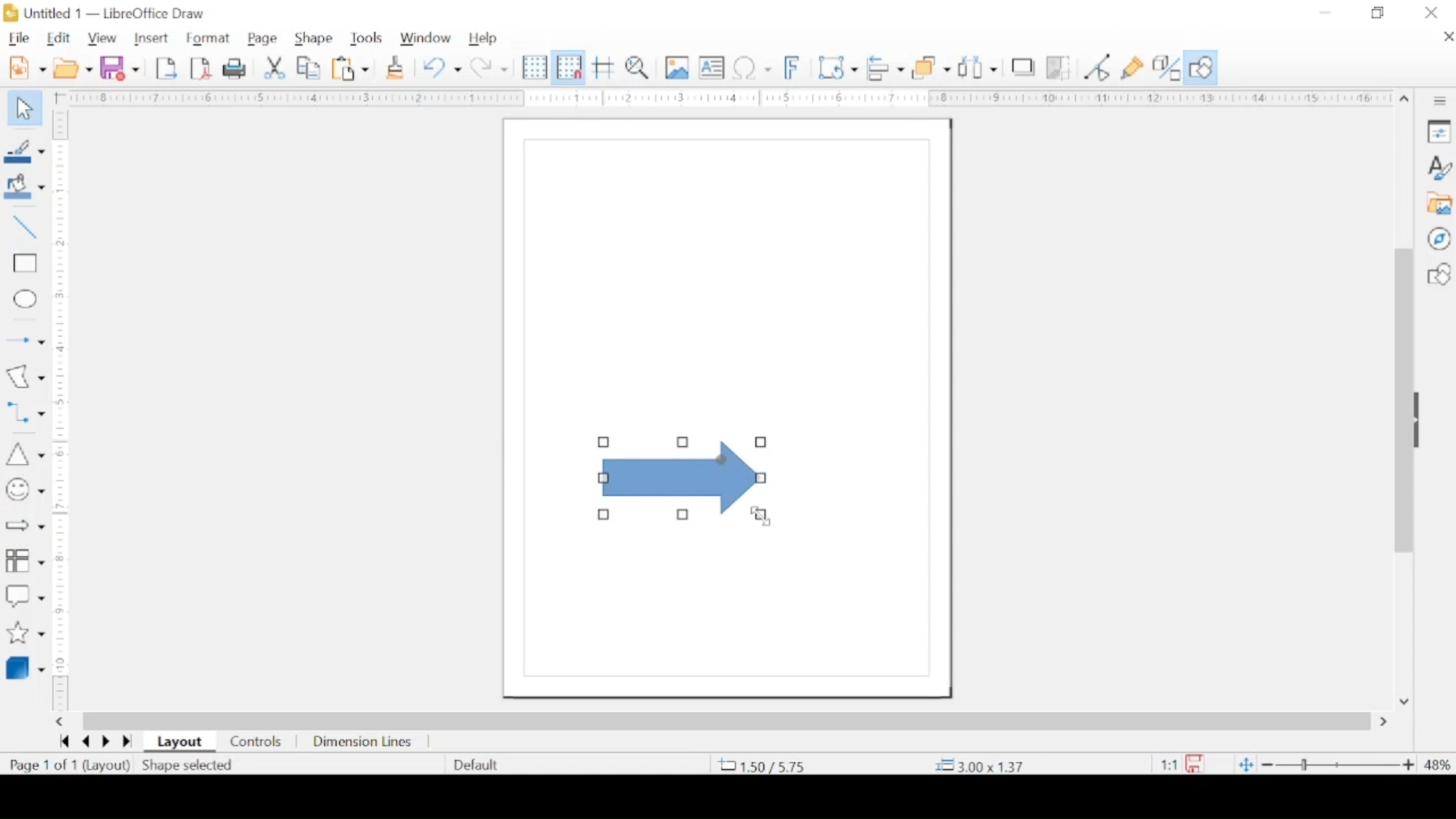 Image resolution: width=1456 pixels, height=819 pixels. I want to click on callout shapes, so click(24, 597).